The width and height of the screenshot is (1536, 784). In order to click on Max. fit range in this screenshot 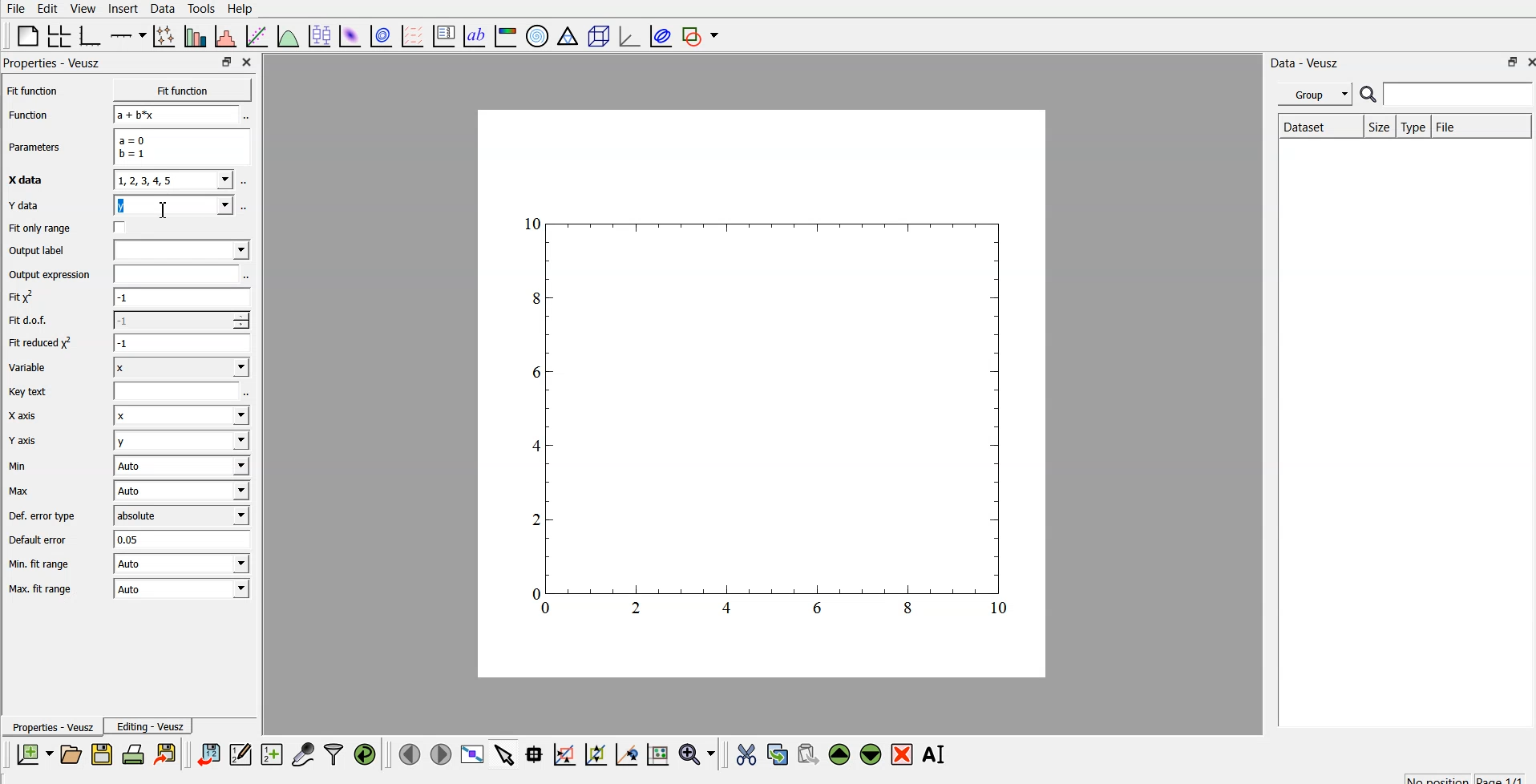, I will do `click(41, 590)`.